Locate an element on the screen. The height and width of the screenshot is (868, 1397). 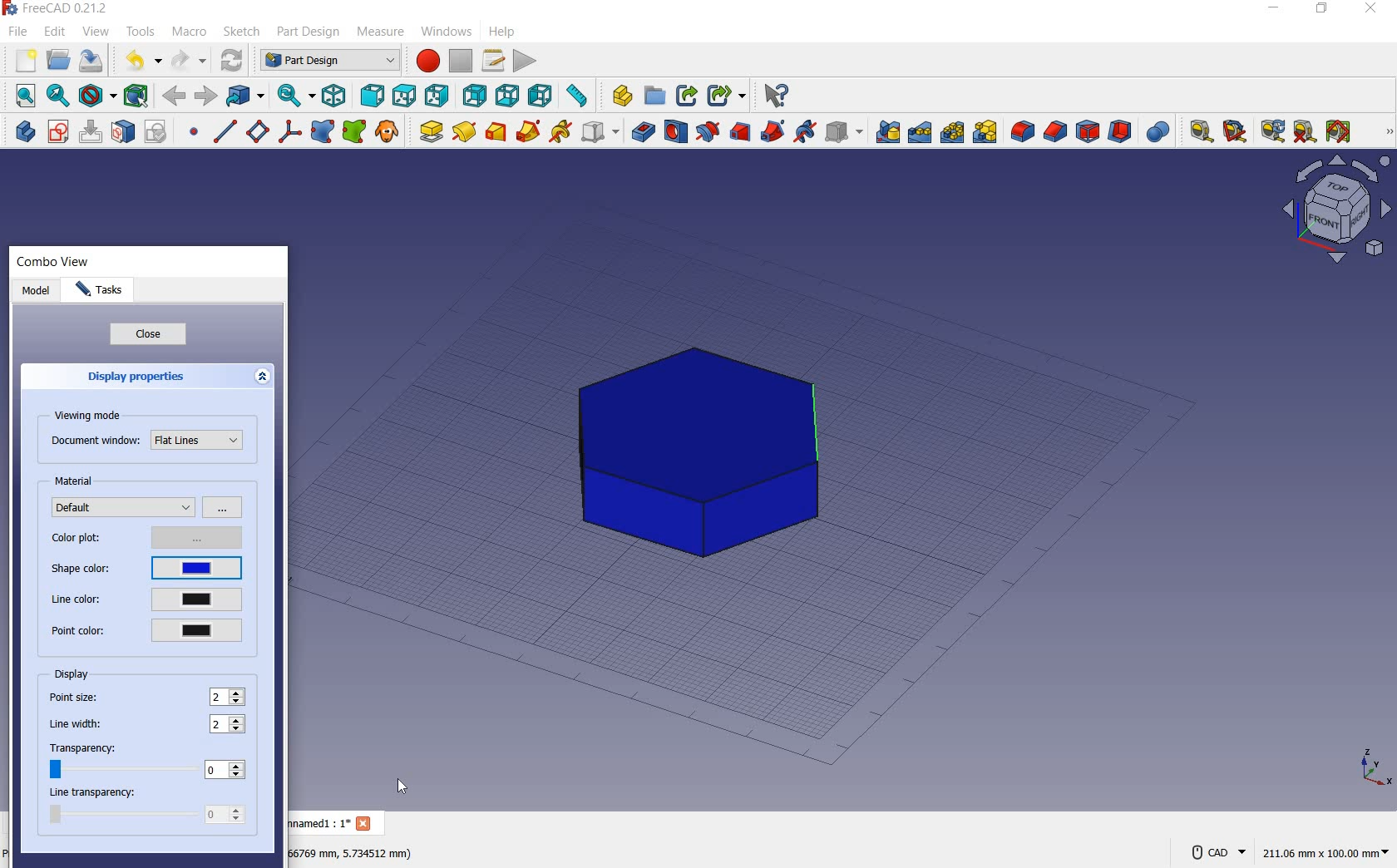
Boolean Operation is located at coordinates (1158, 132).